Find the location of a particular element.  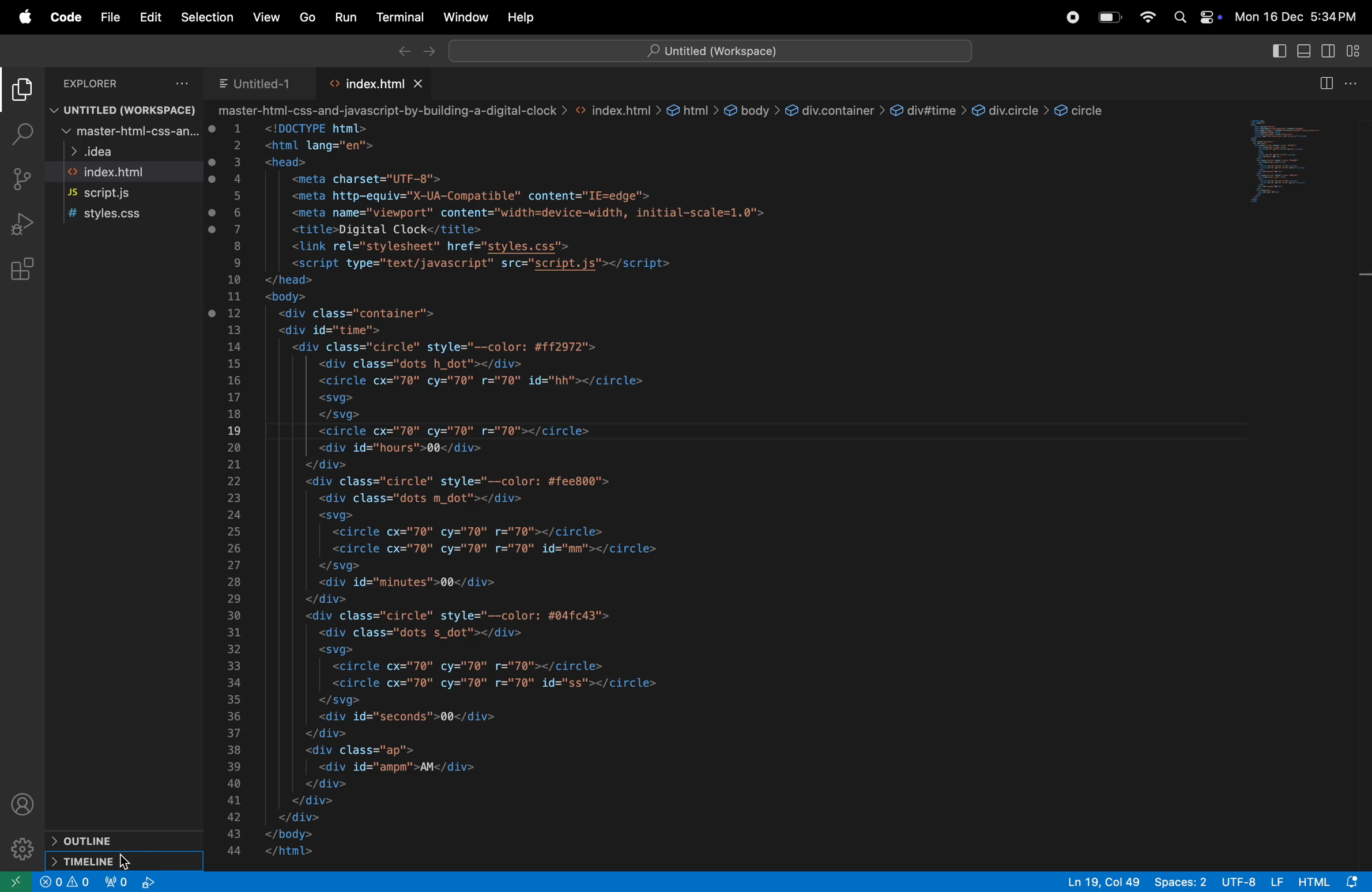

toggle panel is located at coordinates (1305, 52).